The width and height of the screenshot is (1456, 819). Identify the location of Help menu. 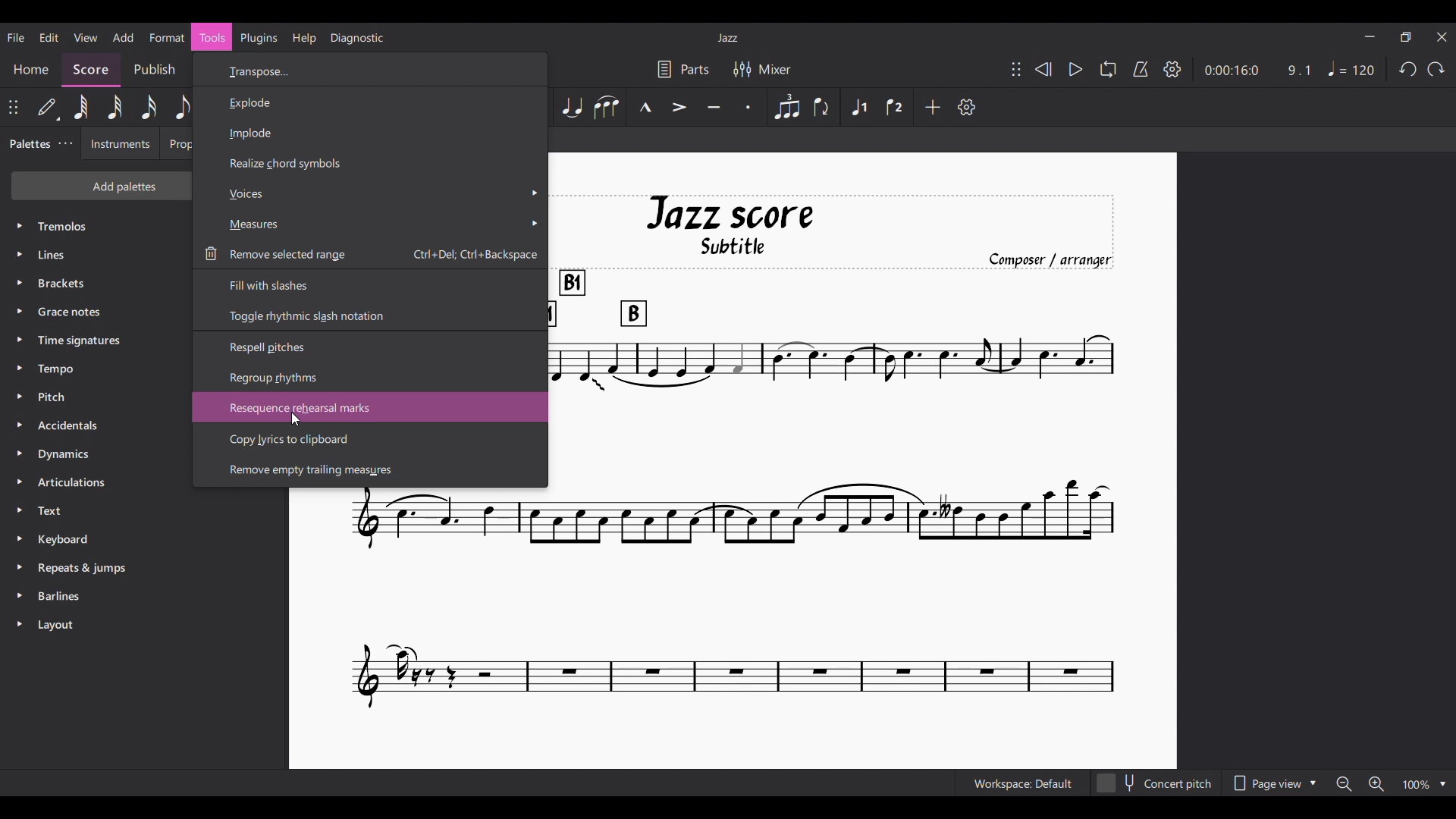
(303, 38).